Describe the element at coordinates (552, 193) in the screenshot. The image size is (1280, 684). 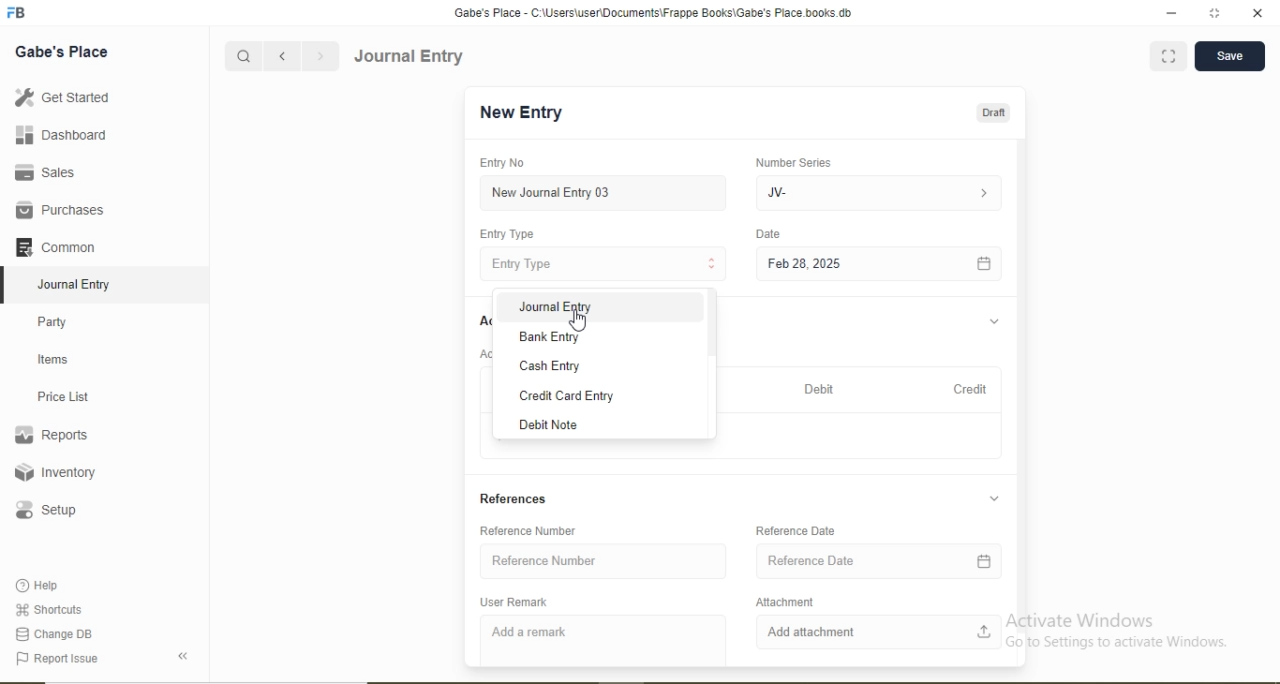
I see `New Journal Entry 03` at that location.